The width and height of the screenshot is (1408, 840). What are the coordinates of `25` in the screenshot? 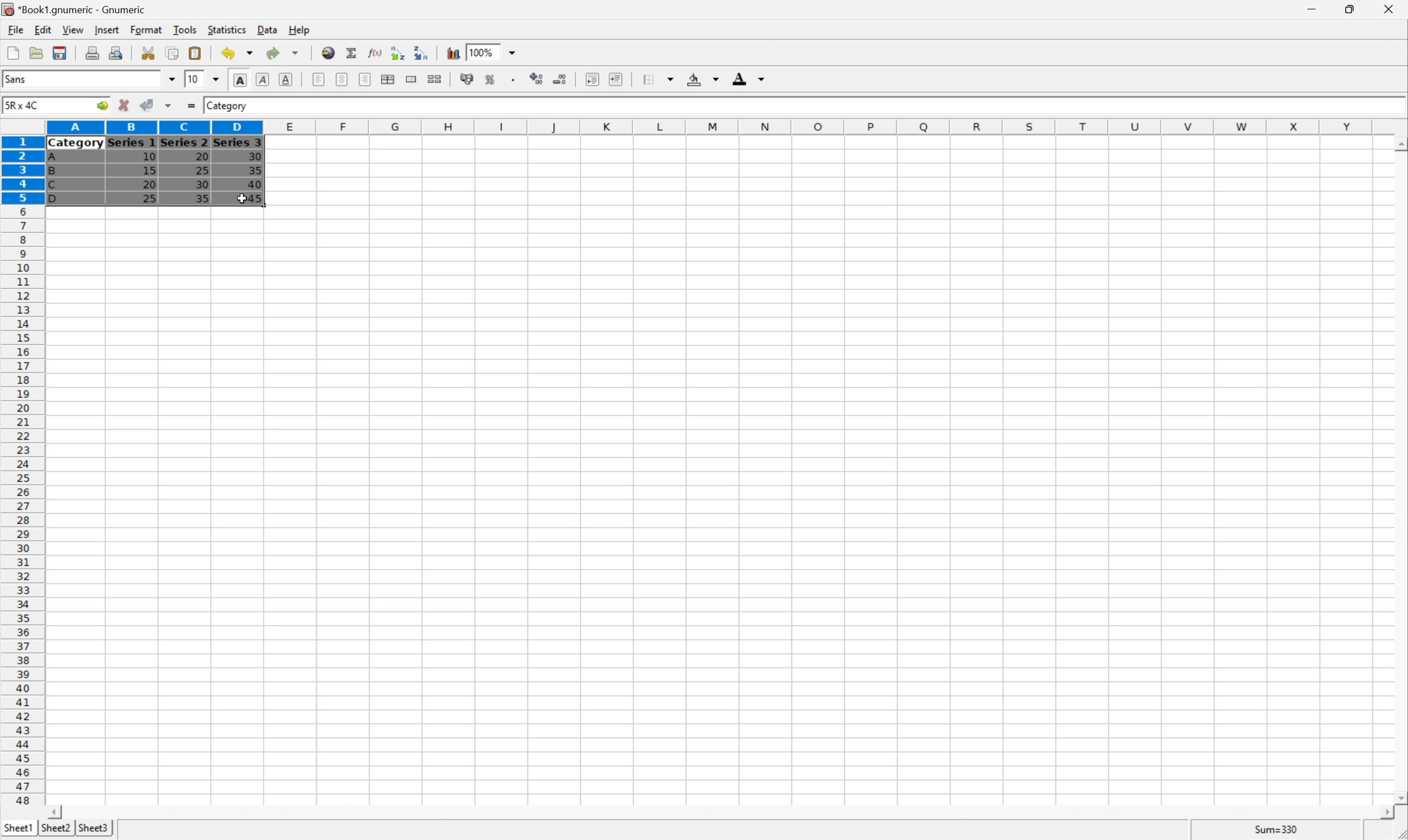 It's located at (149, 199).